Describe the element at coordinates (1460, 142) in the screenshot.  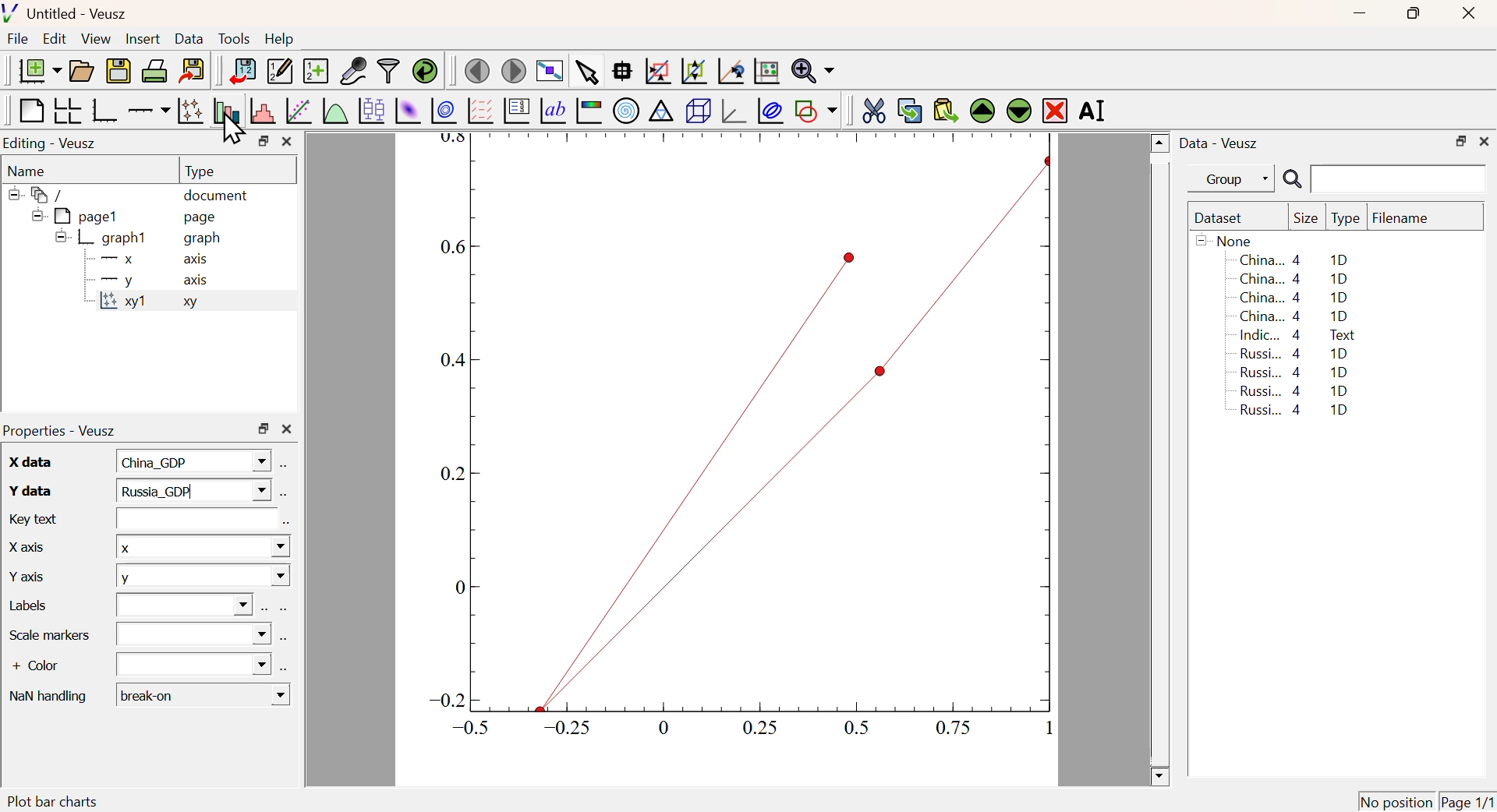
I see `Restore Down` at that location.